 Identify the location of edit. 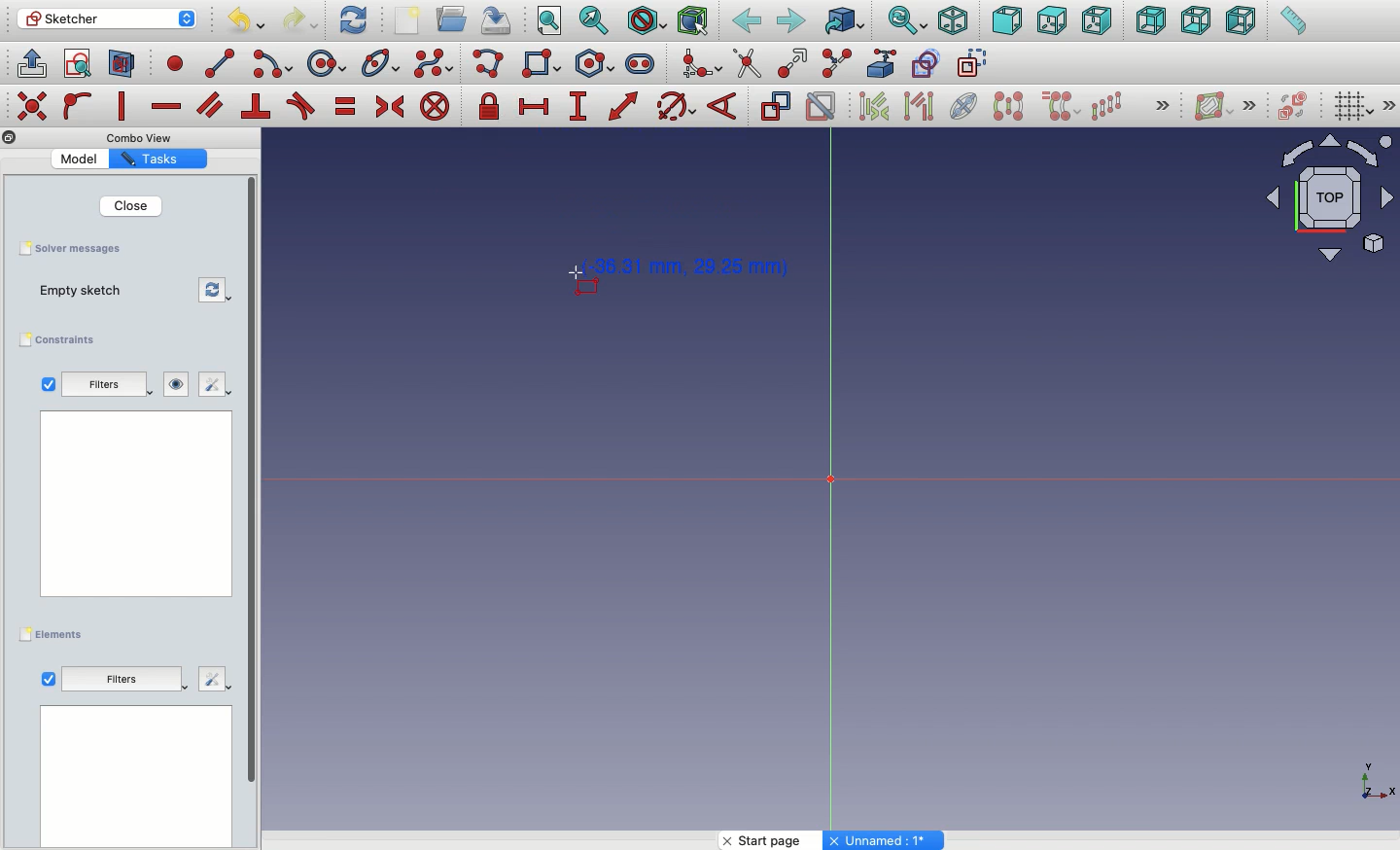
(211, 385).